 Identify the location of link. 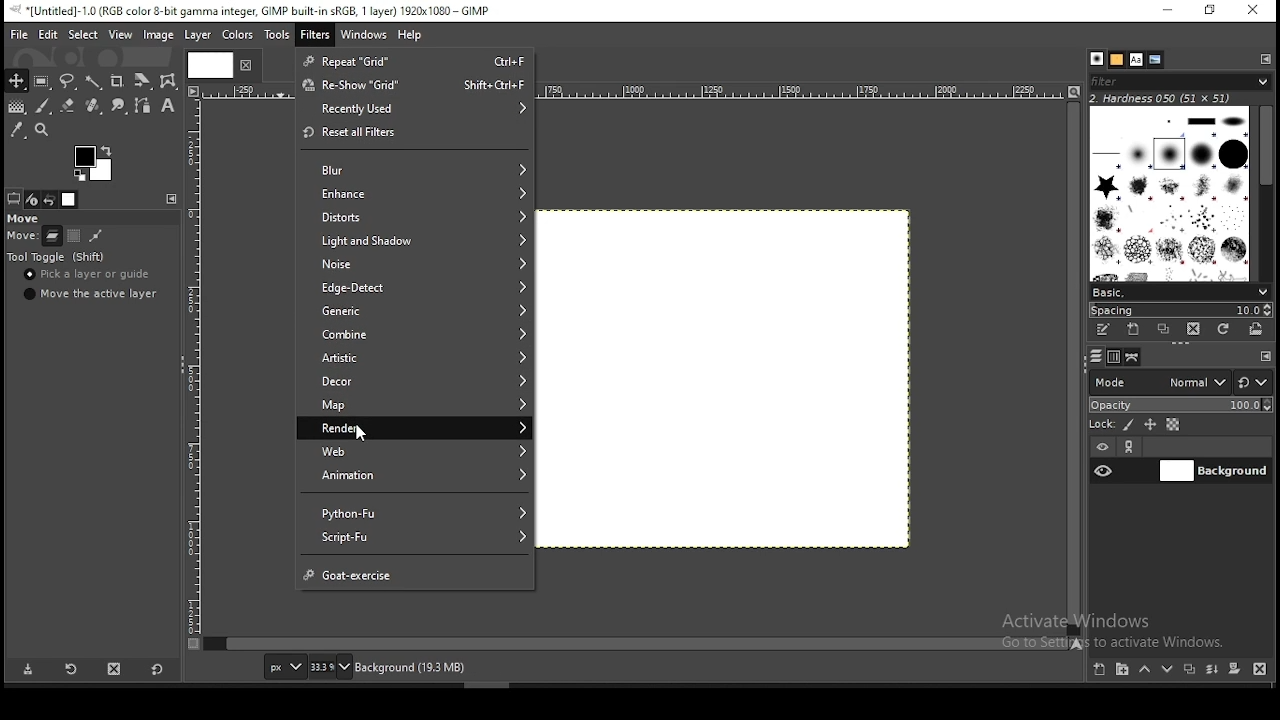
(1133, 446).